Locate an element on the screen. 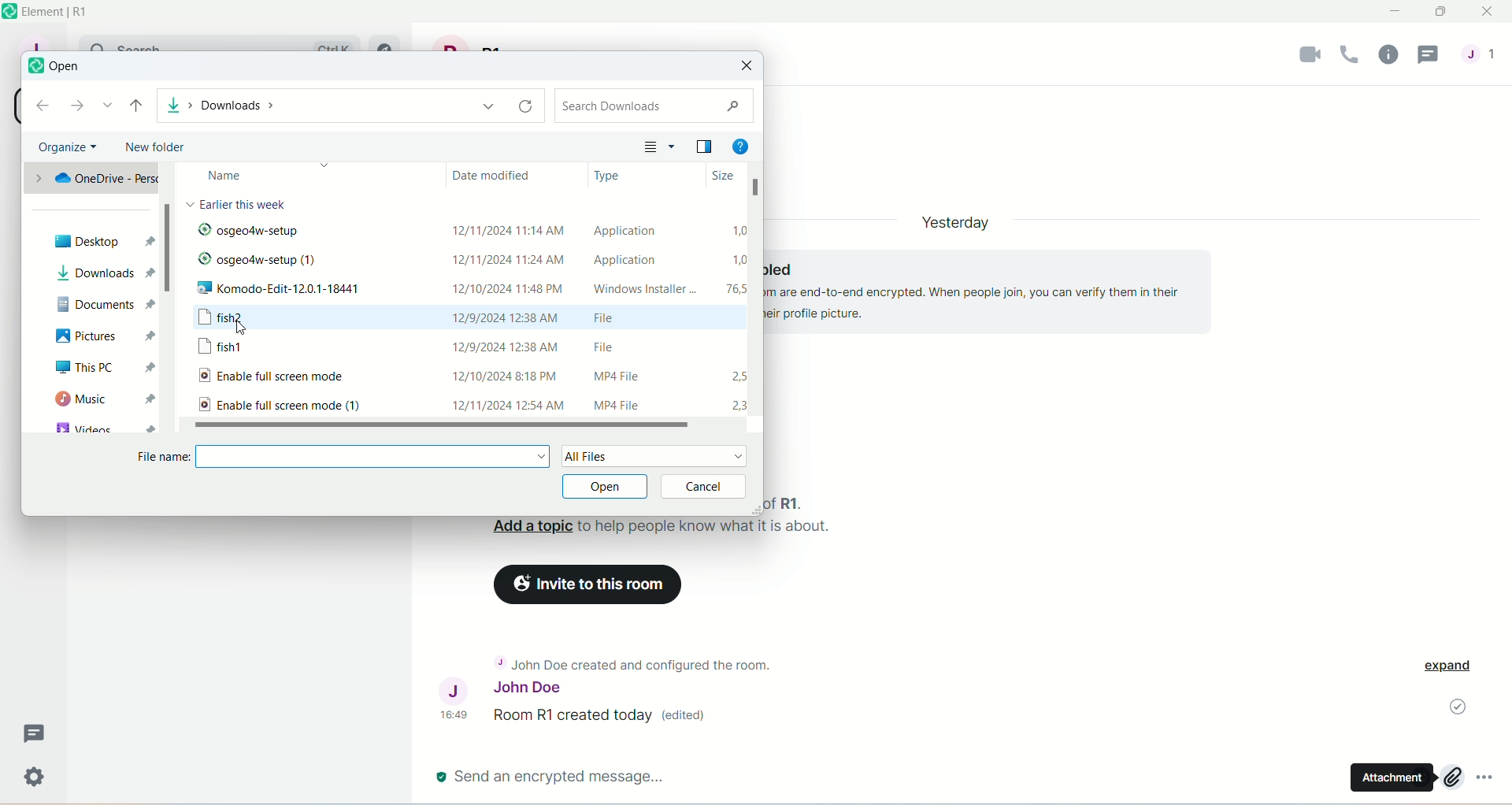 The height and width of the screenshot is (805, 1512). horizontal scroll bar is located at coordinates (450, 426).